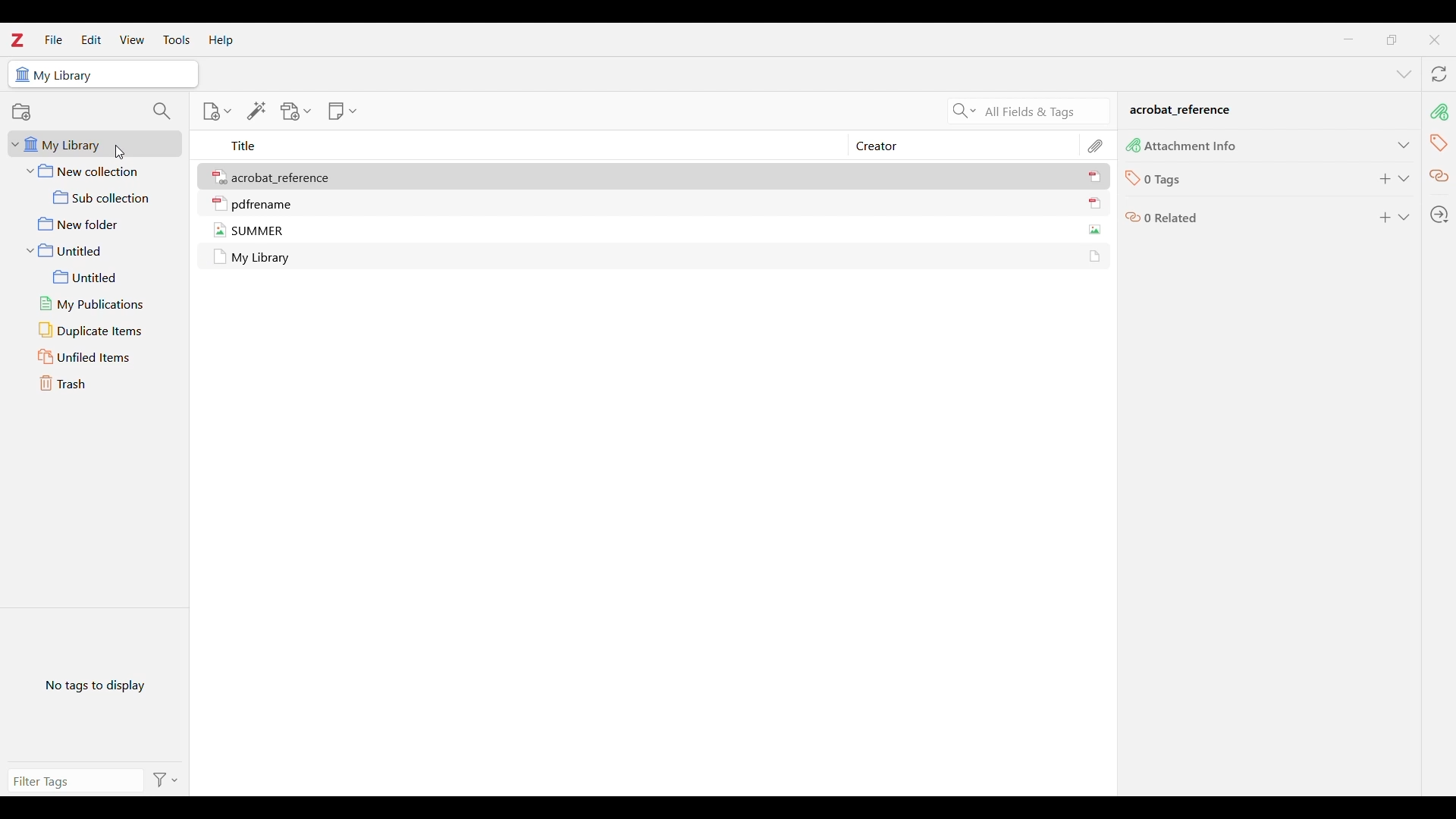 The image size is (1456, 819). I want to click on Add new collection, so click(20, 111).